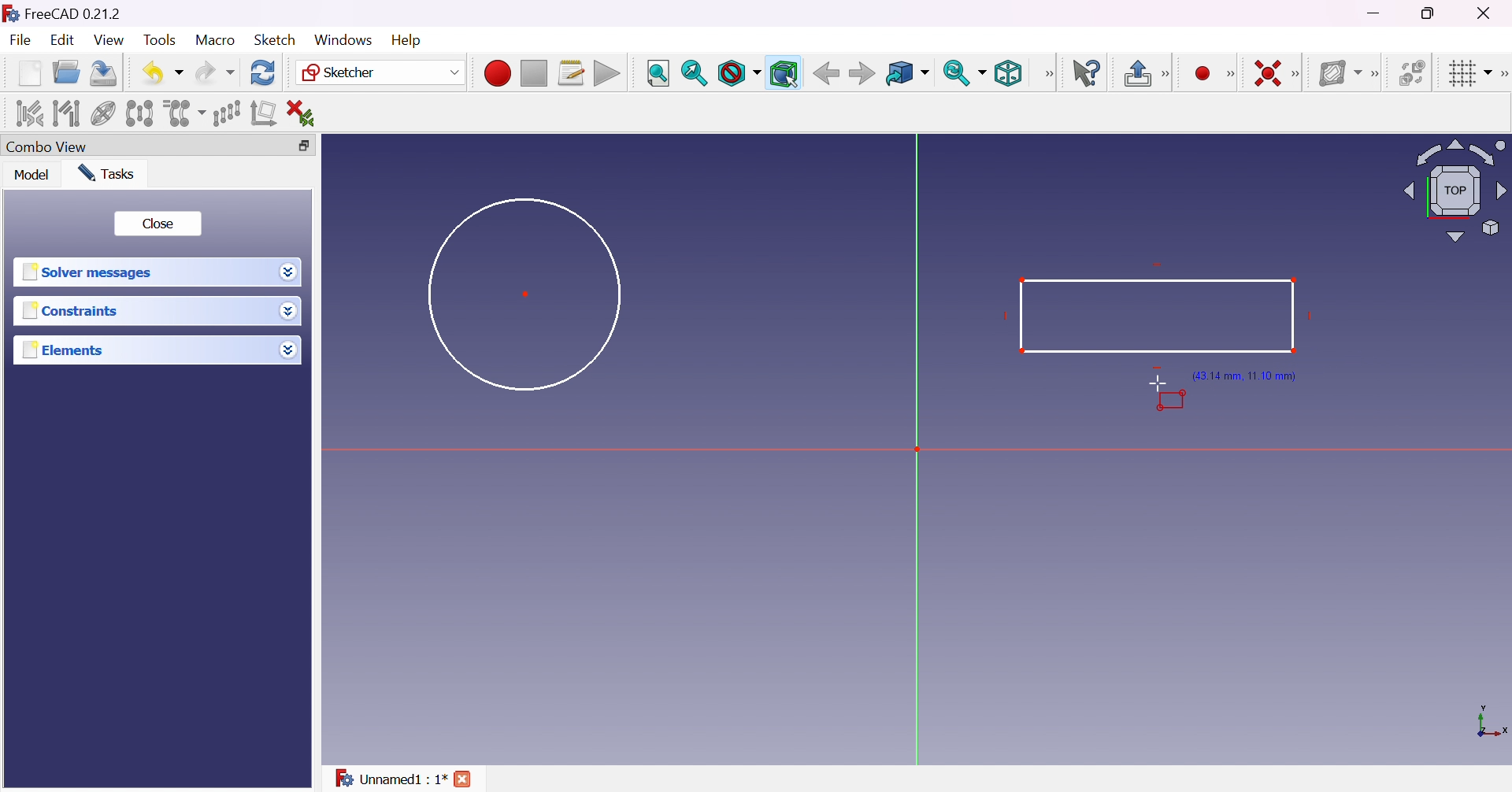  I want to click on Solver messages, so click(87, 272).